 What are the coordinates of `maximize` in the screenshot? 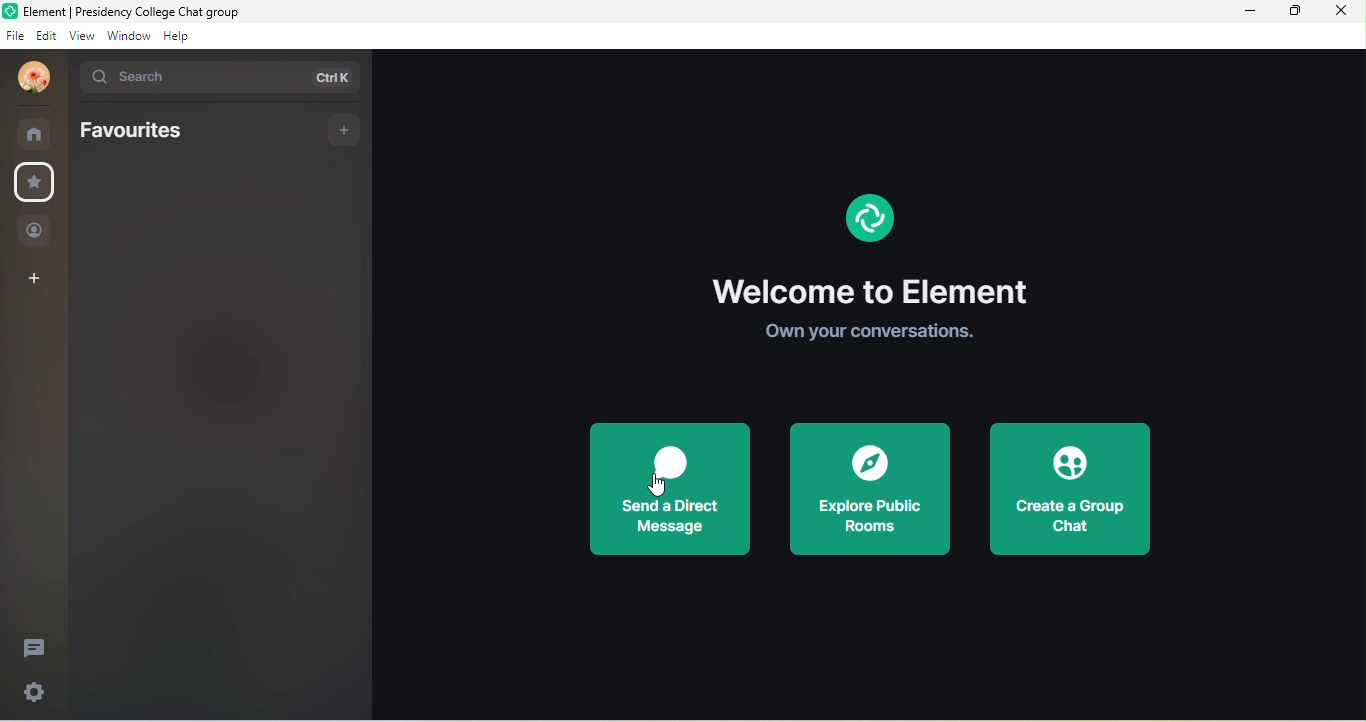 It's located at (1290, 11).